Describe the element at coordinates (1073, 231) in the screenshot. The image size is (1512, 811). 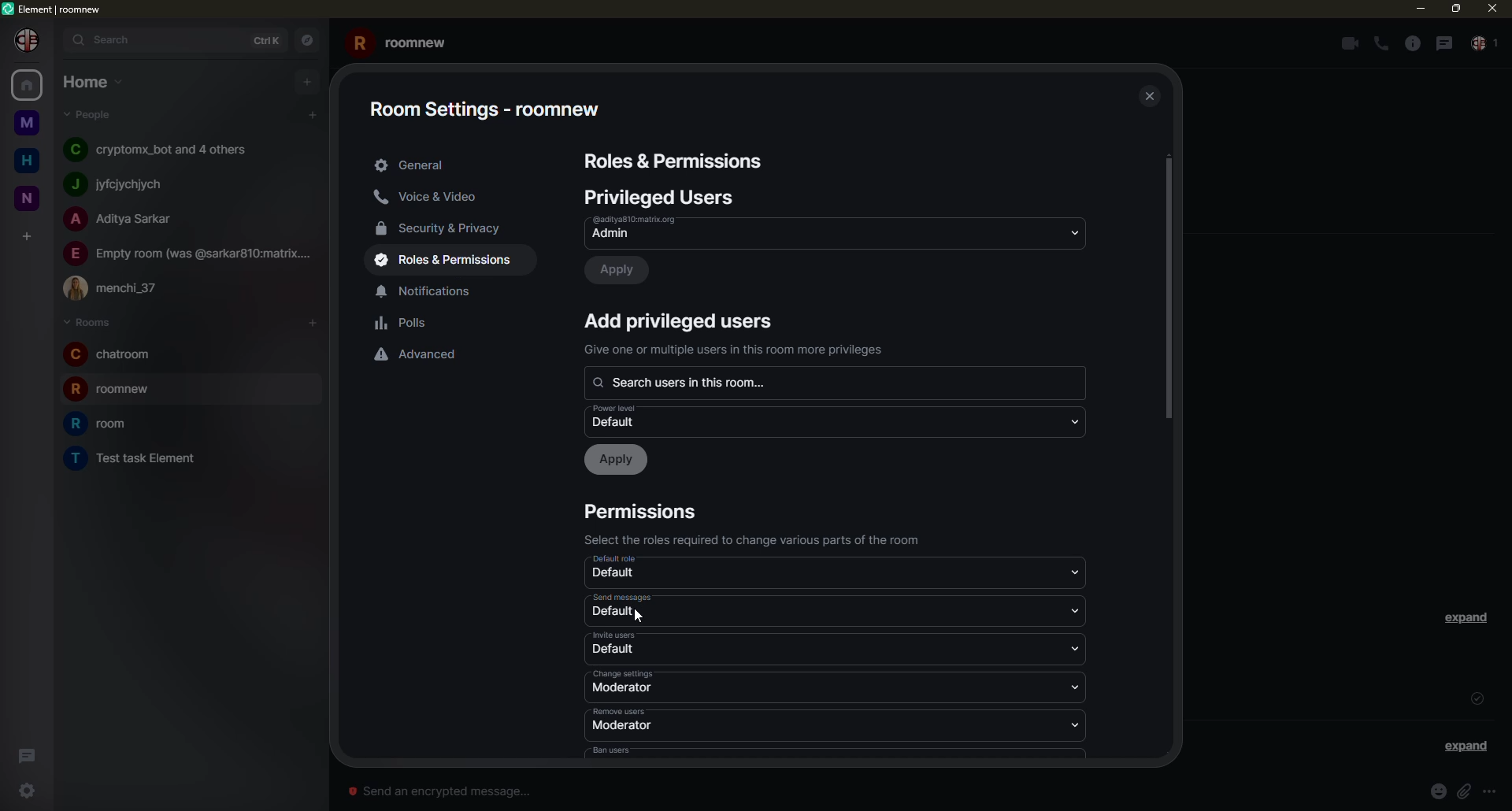
I see `drop` at that location.